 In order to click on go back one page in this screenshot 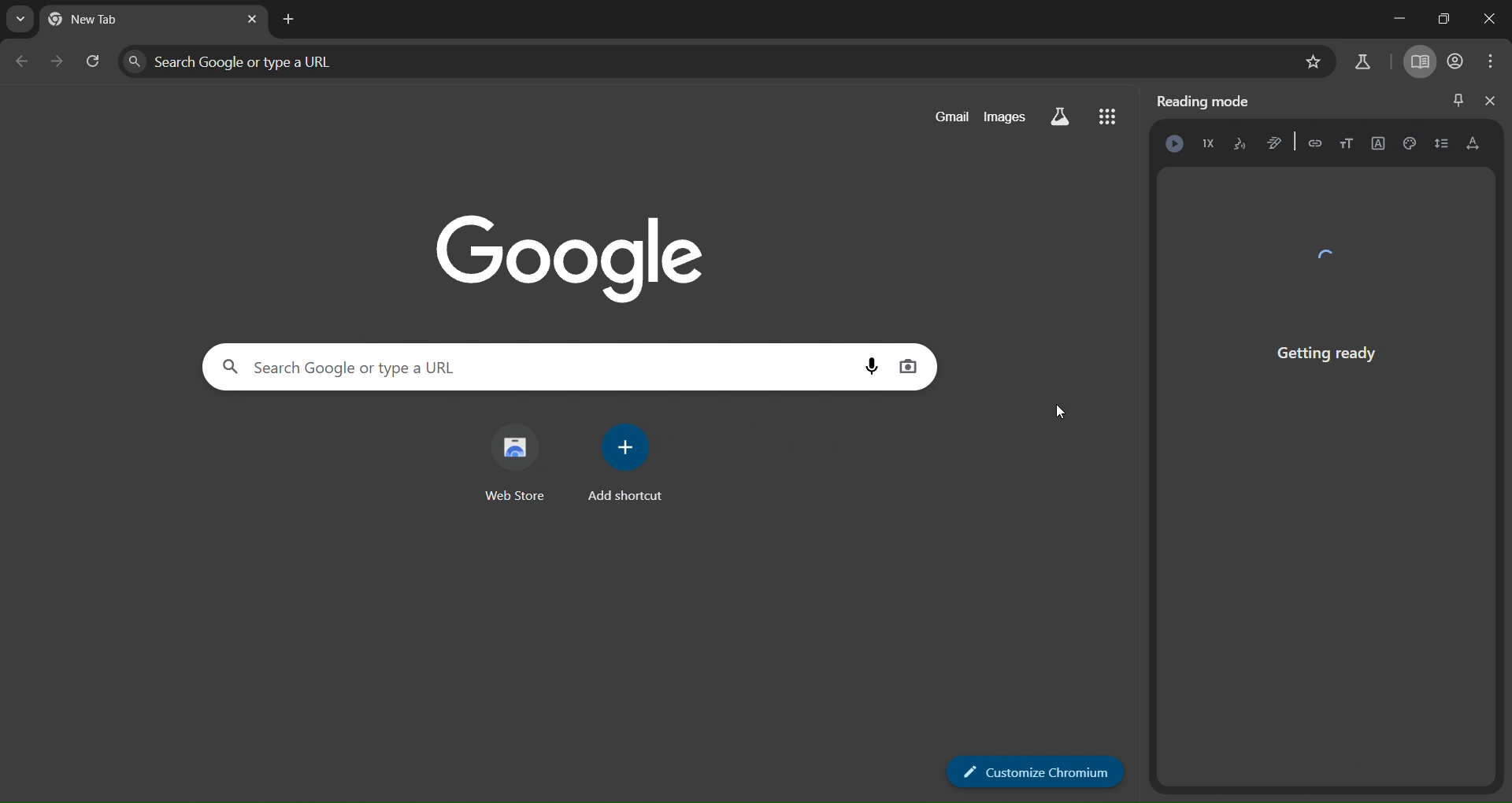, I will do `click(22, 61)`.